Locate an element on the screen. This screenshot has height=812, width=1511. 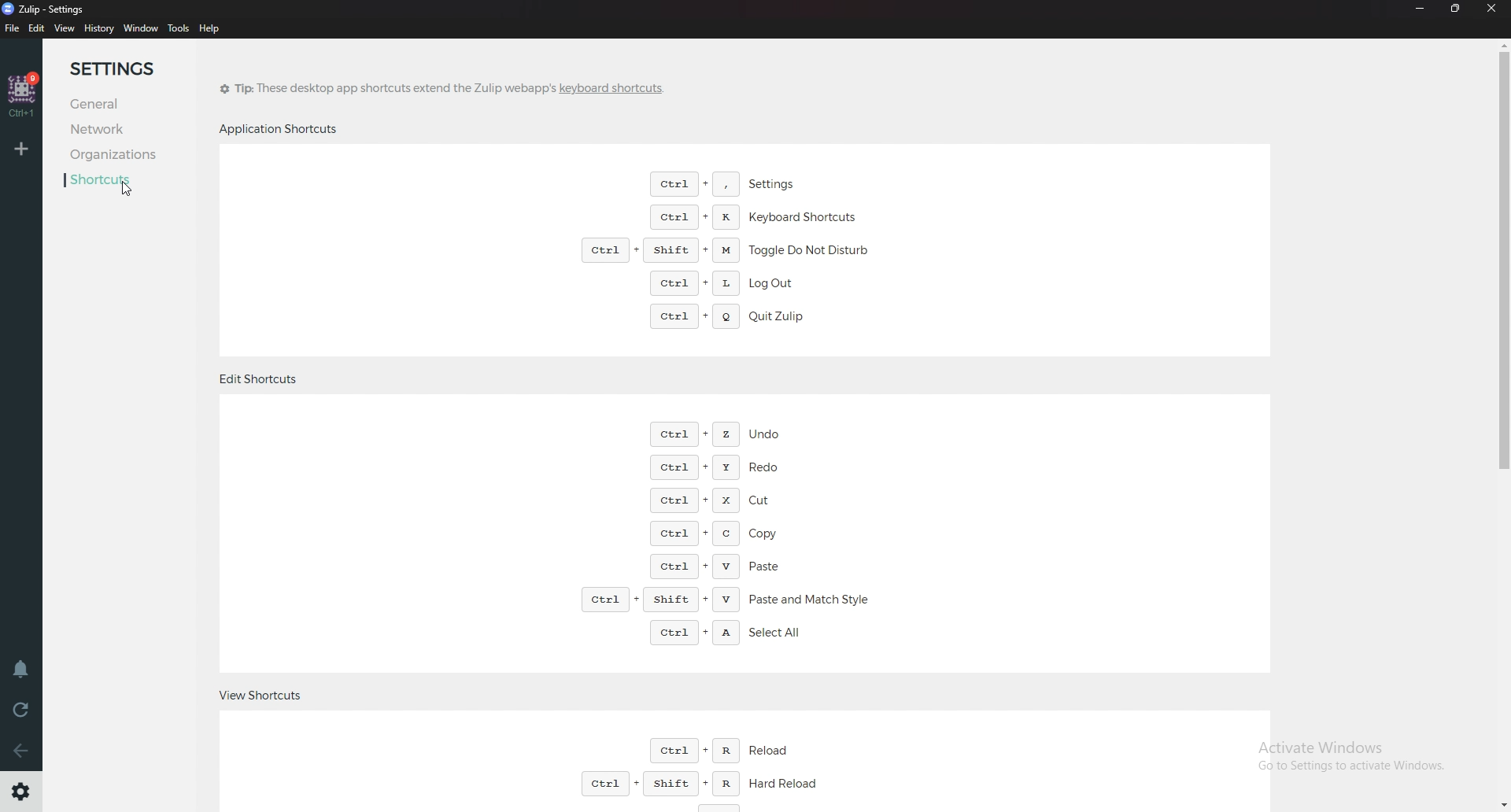
Copy is located at coordinates (716, 533).